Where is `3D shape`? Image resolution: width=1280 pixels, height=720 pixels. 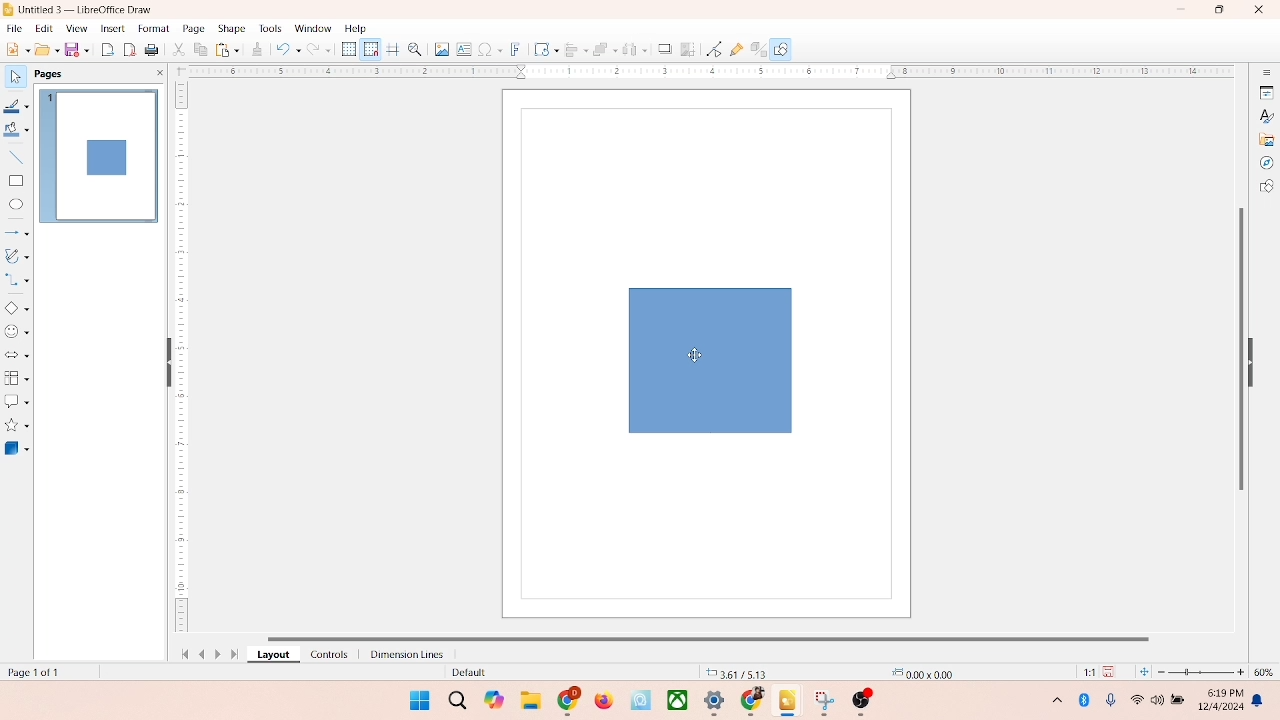
3D shape is located at coordinates (17, 448).